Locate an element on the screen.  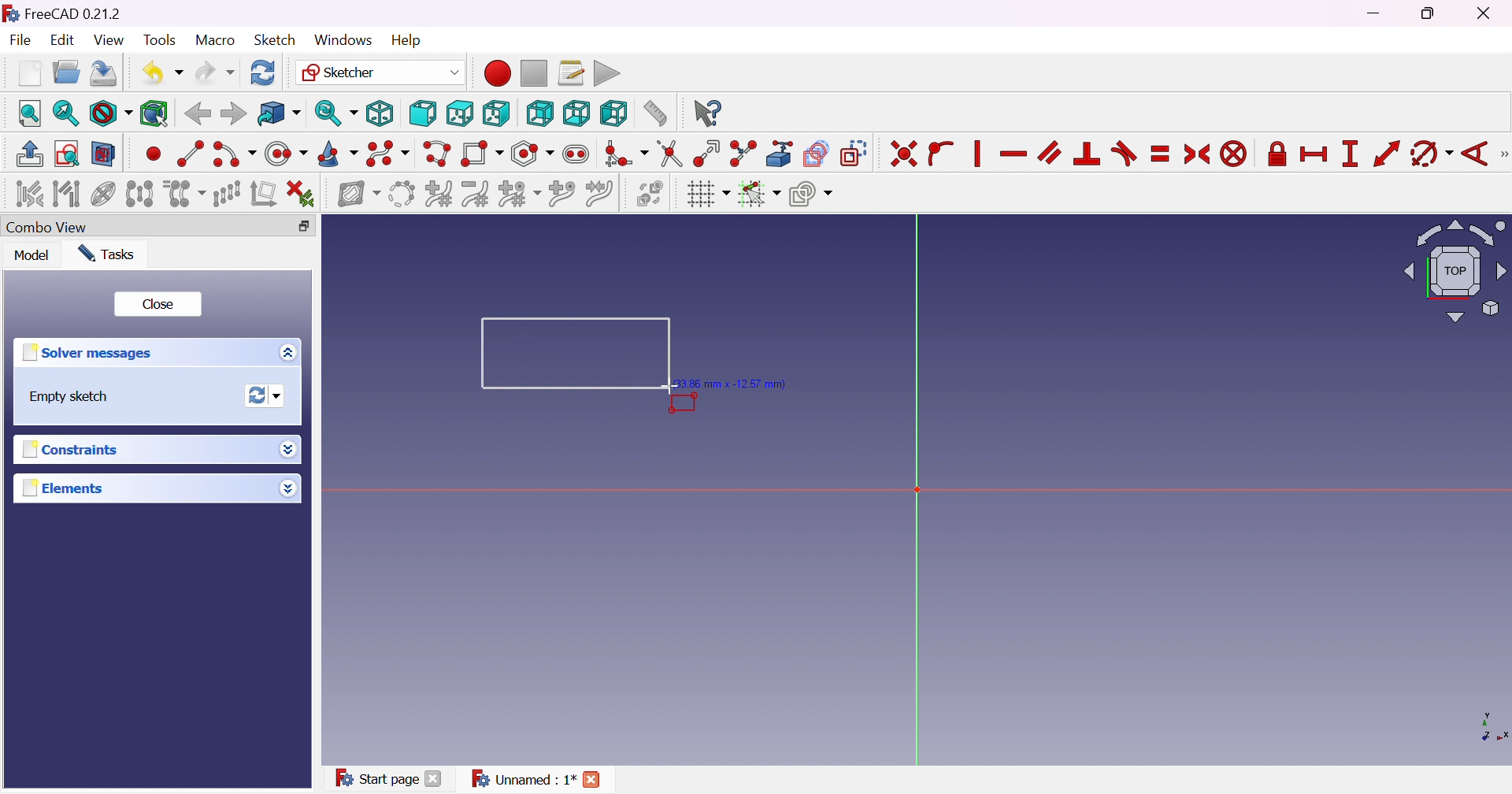
Create regular polygon is located at coordinates (533, 154).